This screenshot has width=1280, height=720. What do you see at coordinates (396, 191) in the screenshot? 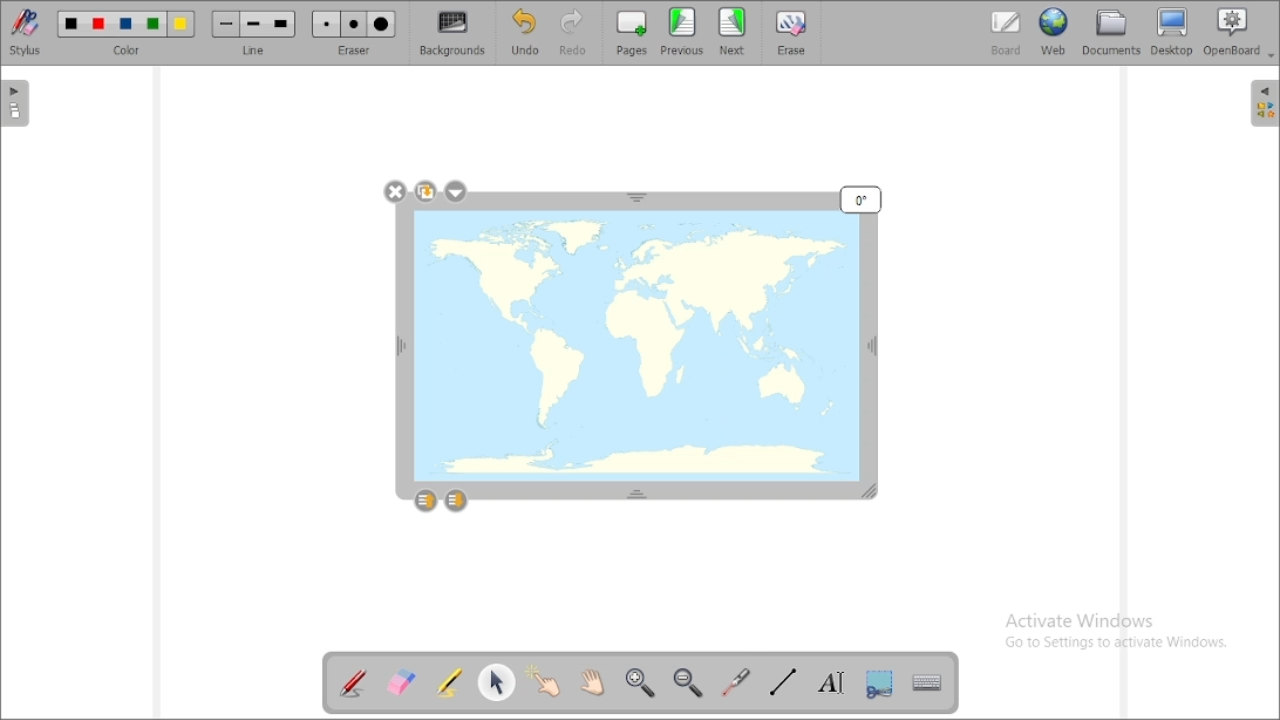
I see `delete` at bounding box center [396, 191].